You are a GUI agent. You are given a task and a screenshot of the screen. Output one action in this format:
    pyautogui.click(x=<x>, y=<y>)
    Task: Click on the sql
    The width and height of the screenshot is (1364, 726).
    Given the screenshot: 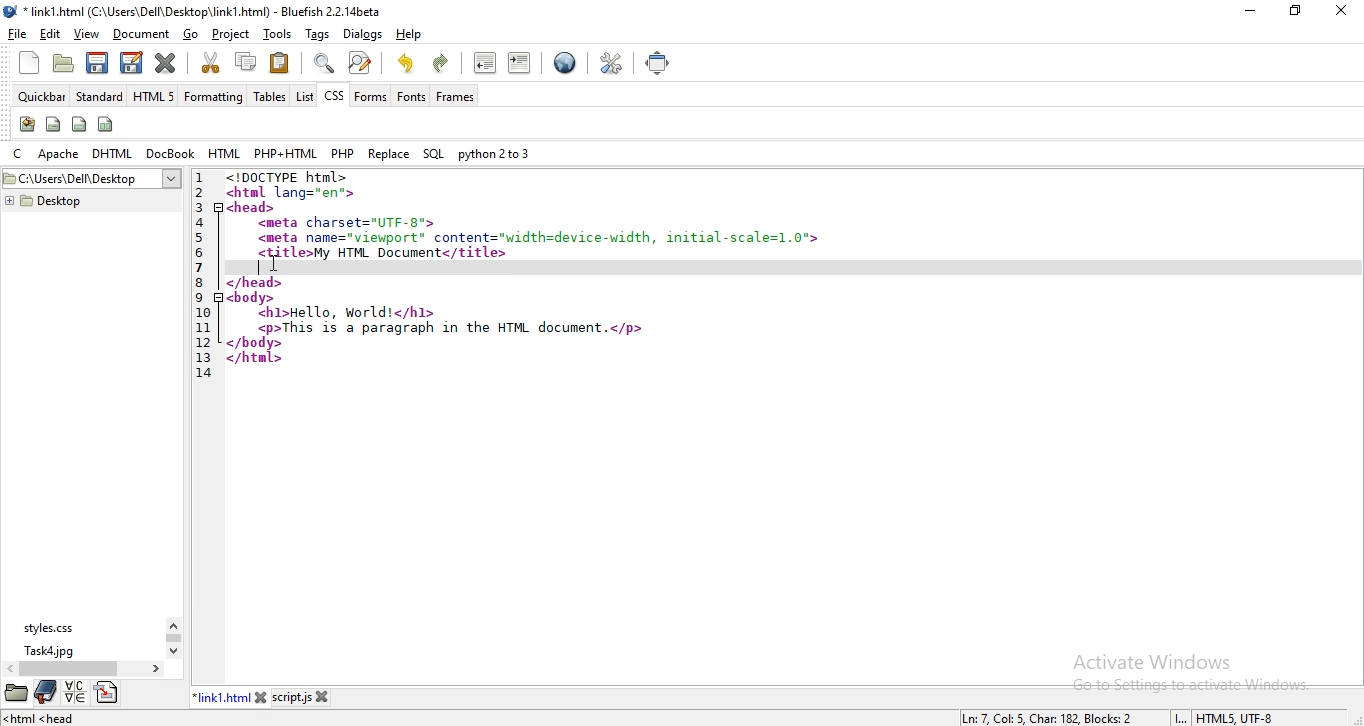 What is the action you would take?
    pyautogui.click(x=432, y=154)
    